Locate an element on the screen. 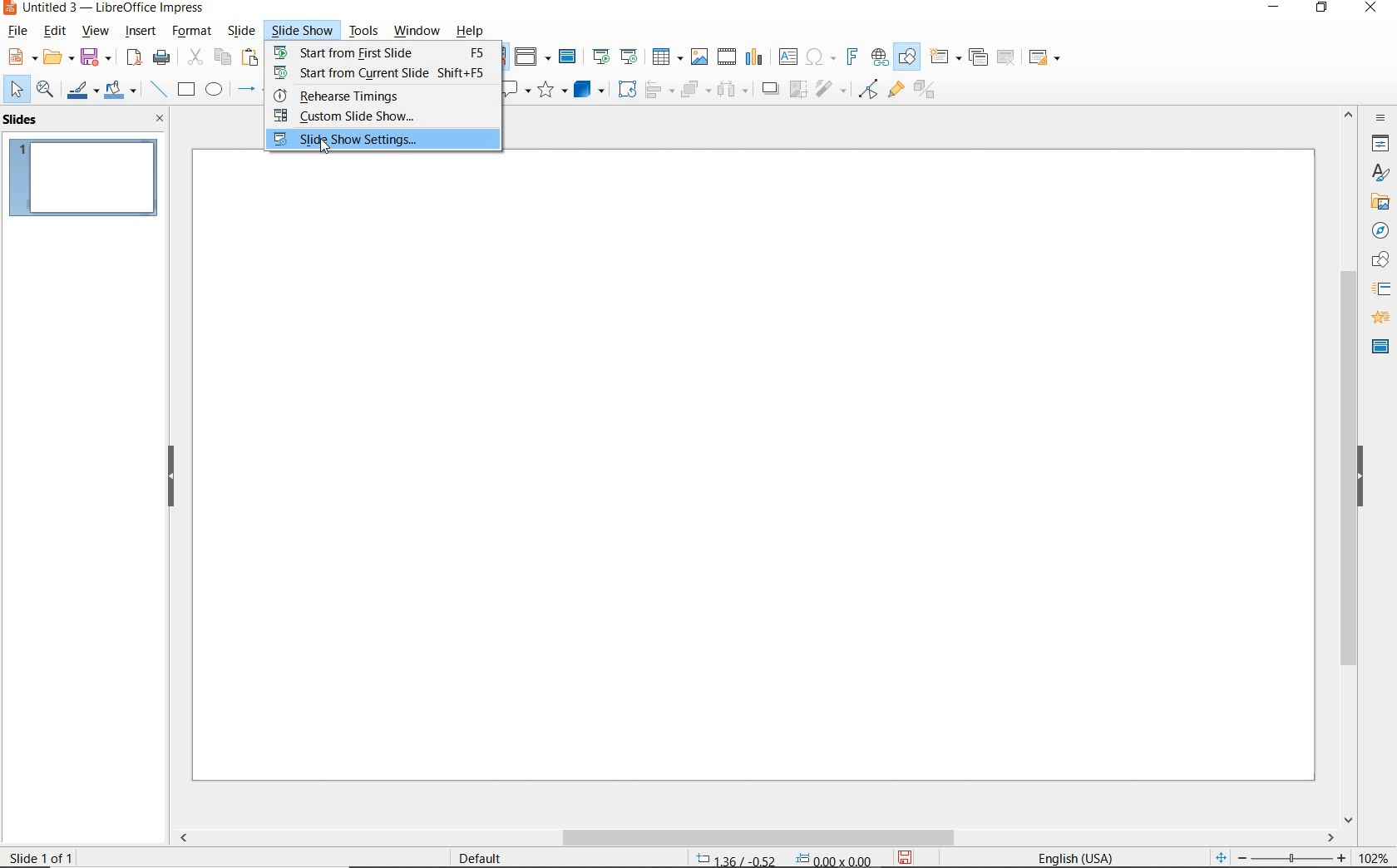 This screenshot has height=868, width=1397. CURSOR is located at coordinates (326, 149).